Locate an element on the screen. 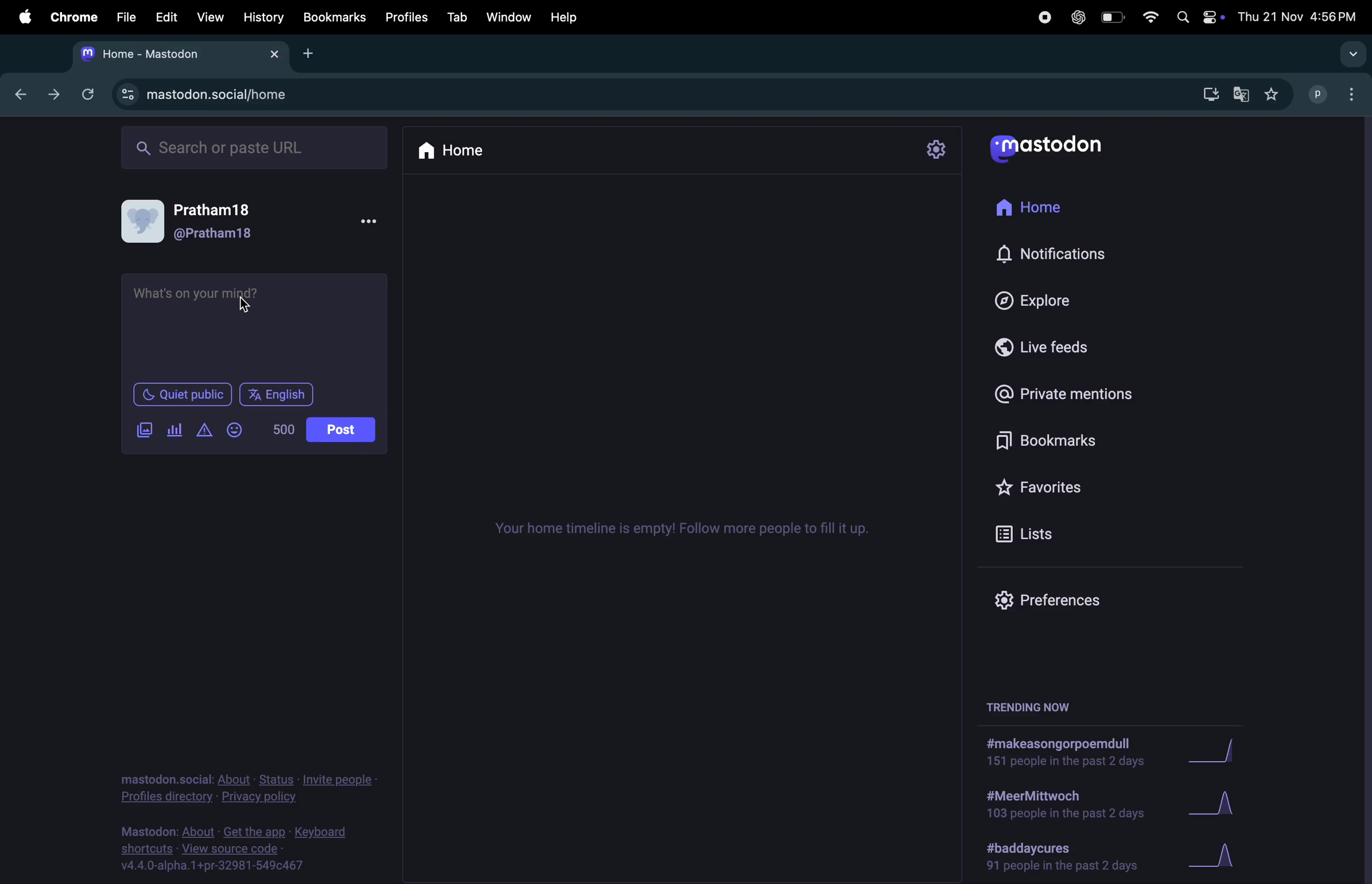 This screenshot has width=1372, height=884. textbox is located at coordinates (257, 323).